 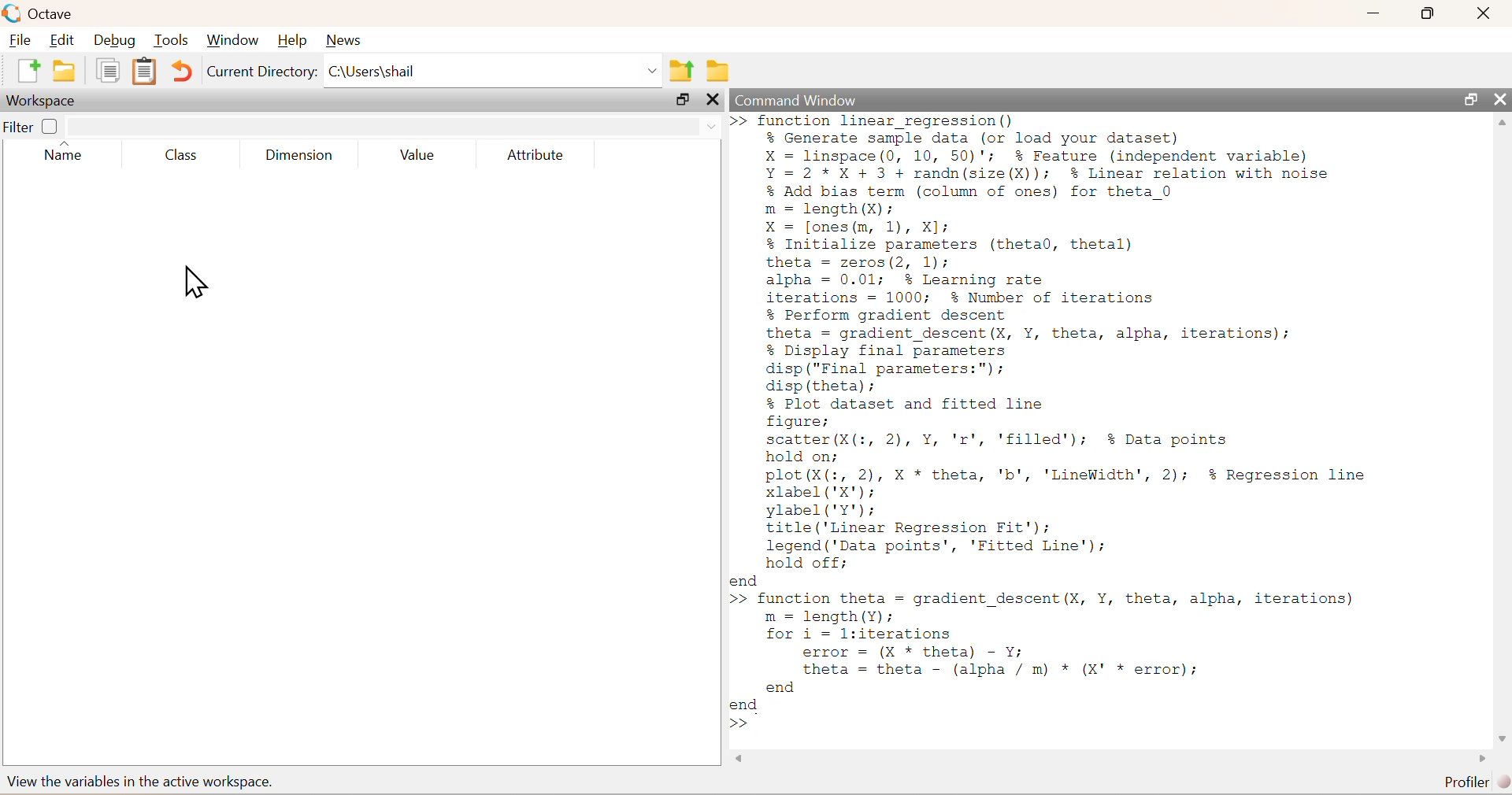 What do you see at coordinates (1482, 13) in the screenshot?
I see `close` at bounding box center [1482, 13].